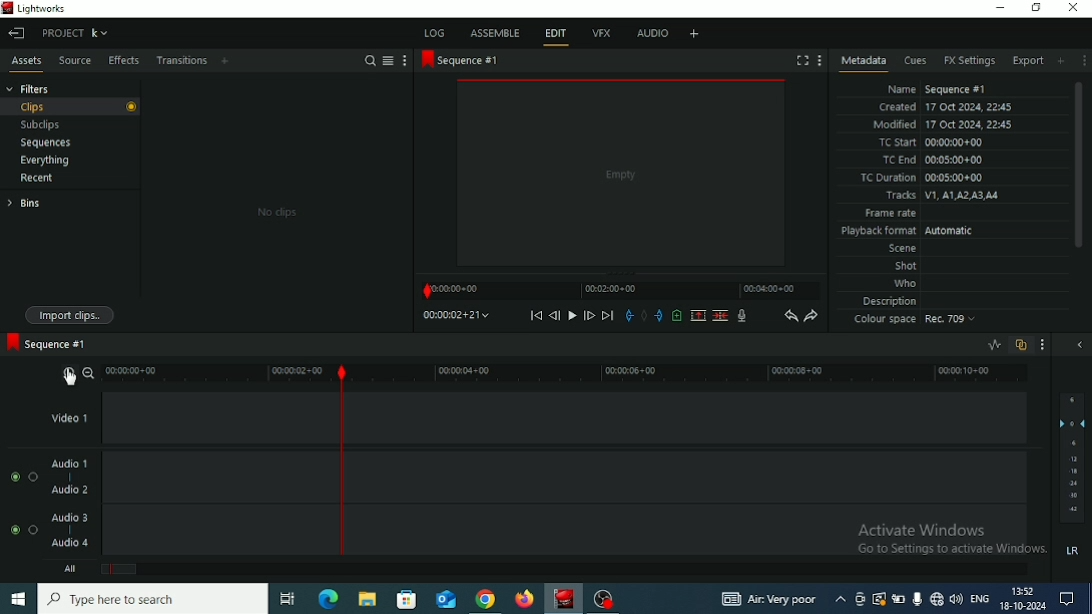  What do you see at coordinates (89, 372) in the screenshot?
I see `Zoom out` at bounding box center [89, 372].